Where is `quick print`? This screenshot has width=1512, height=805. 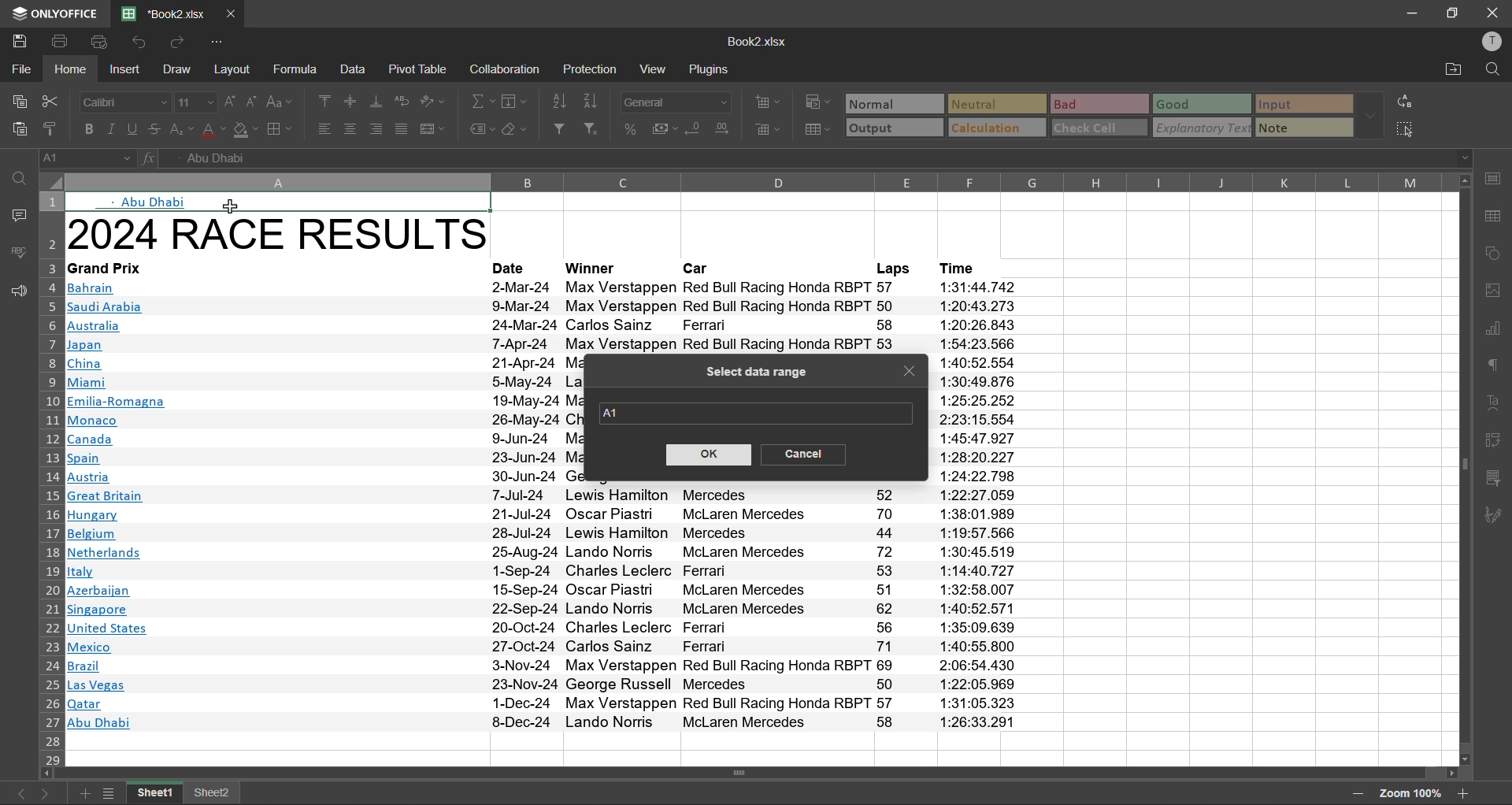
quick print is located at coordinates (99, 41).